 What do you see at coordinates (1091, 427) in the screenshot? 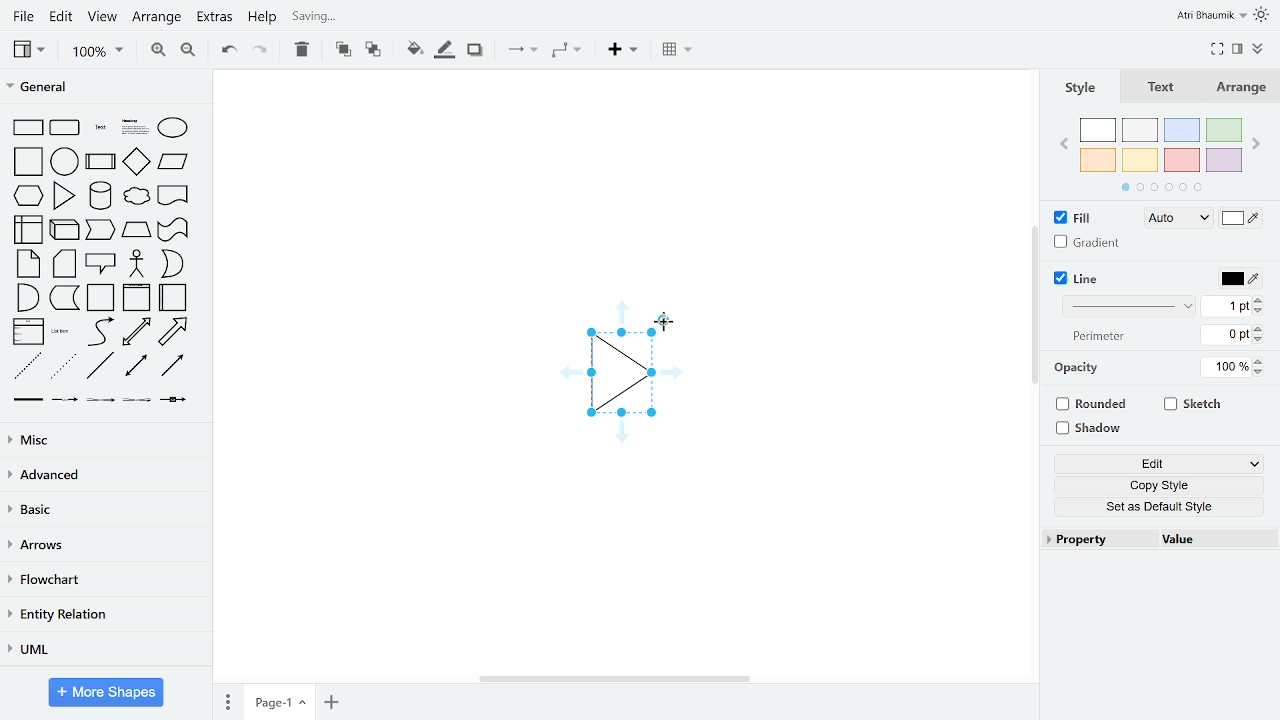
I see `shadow` at bounding box center [1091, 427].